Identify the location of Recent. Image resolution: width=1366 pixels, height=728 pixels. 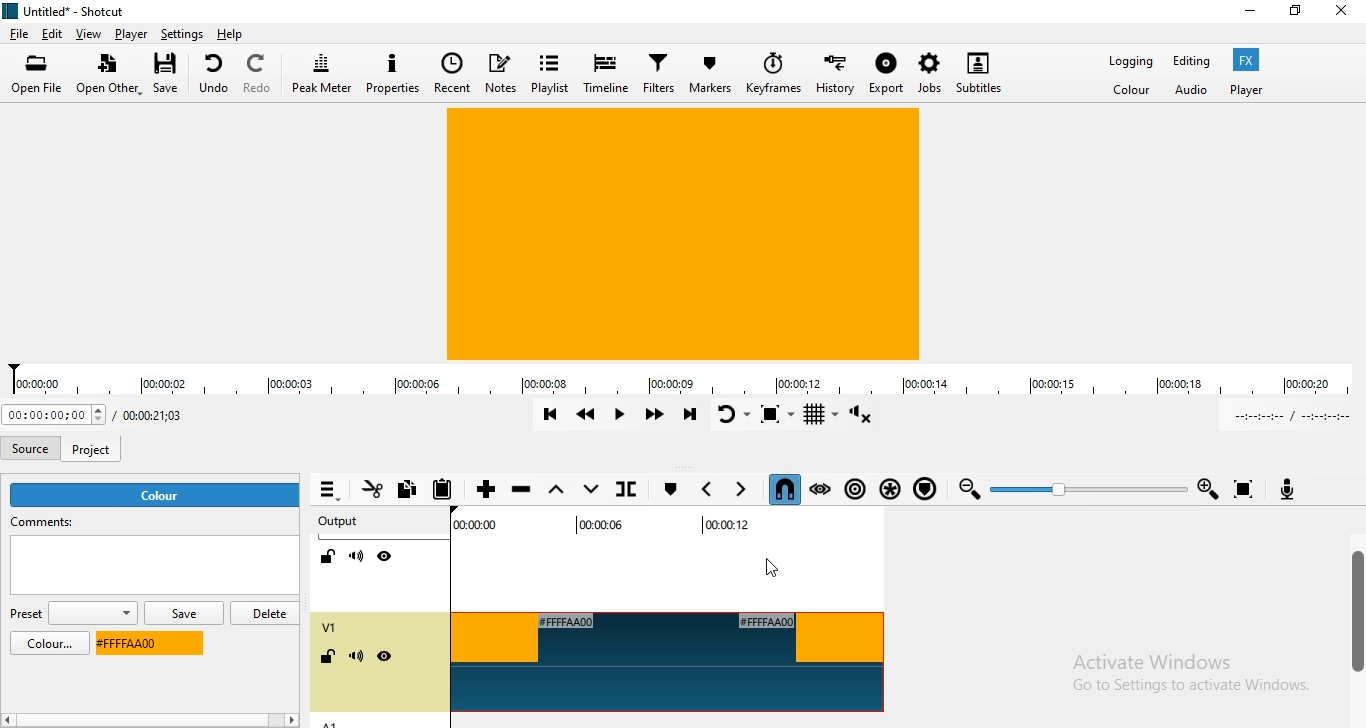
(452, 73).